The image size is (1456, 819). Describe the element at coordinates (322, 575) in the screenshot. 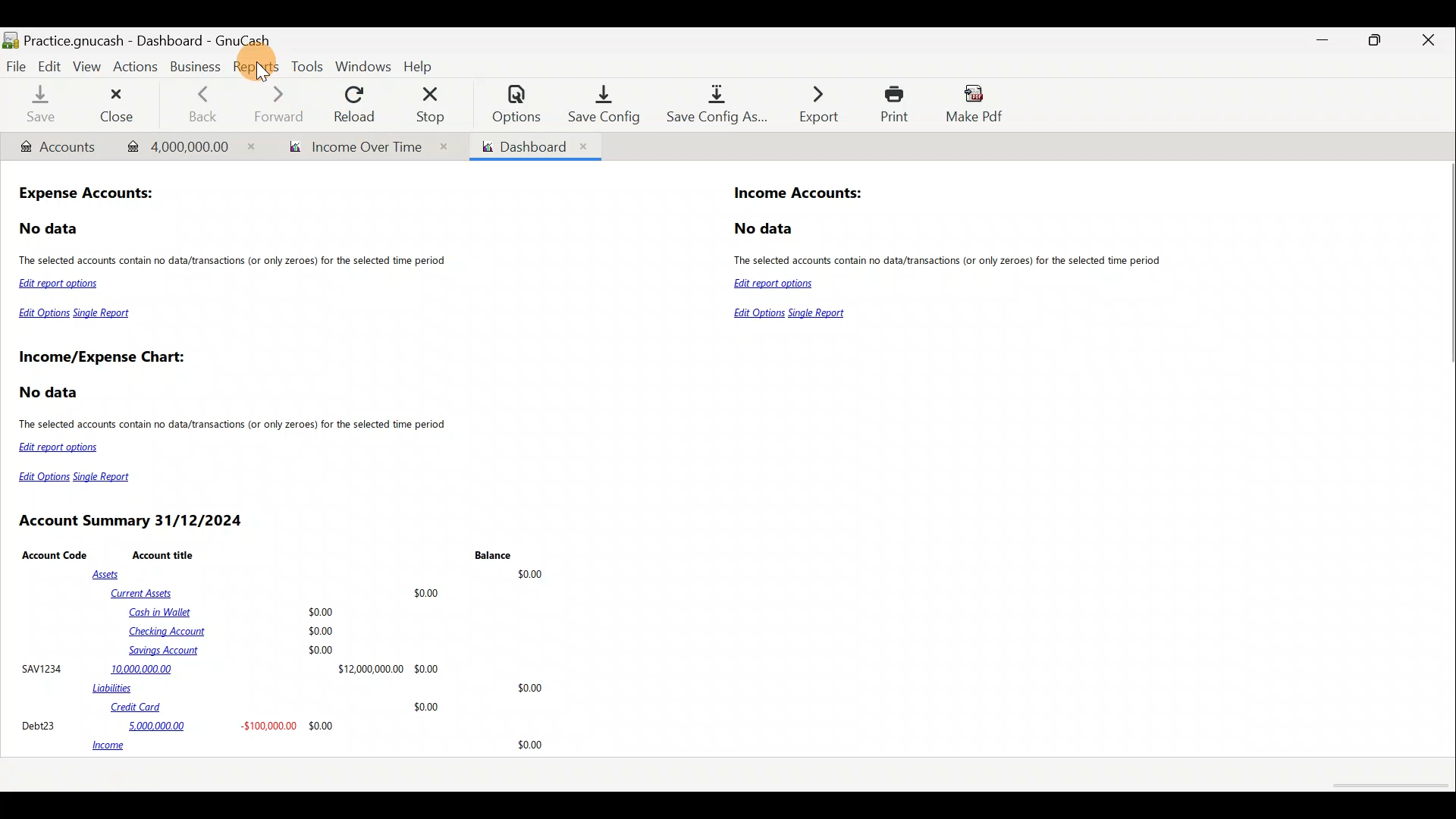

I see `Assets $0.00` at that location.